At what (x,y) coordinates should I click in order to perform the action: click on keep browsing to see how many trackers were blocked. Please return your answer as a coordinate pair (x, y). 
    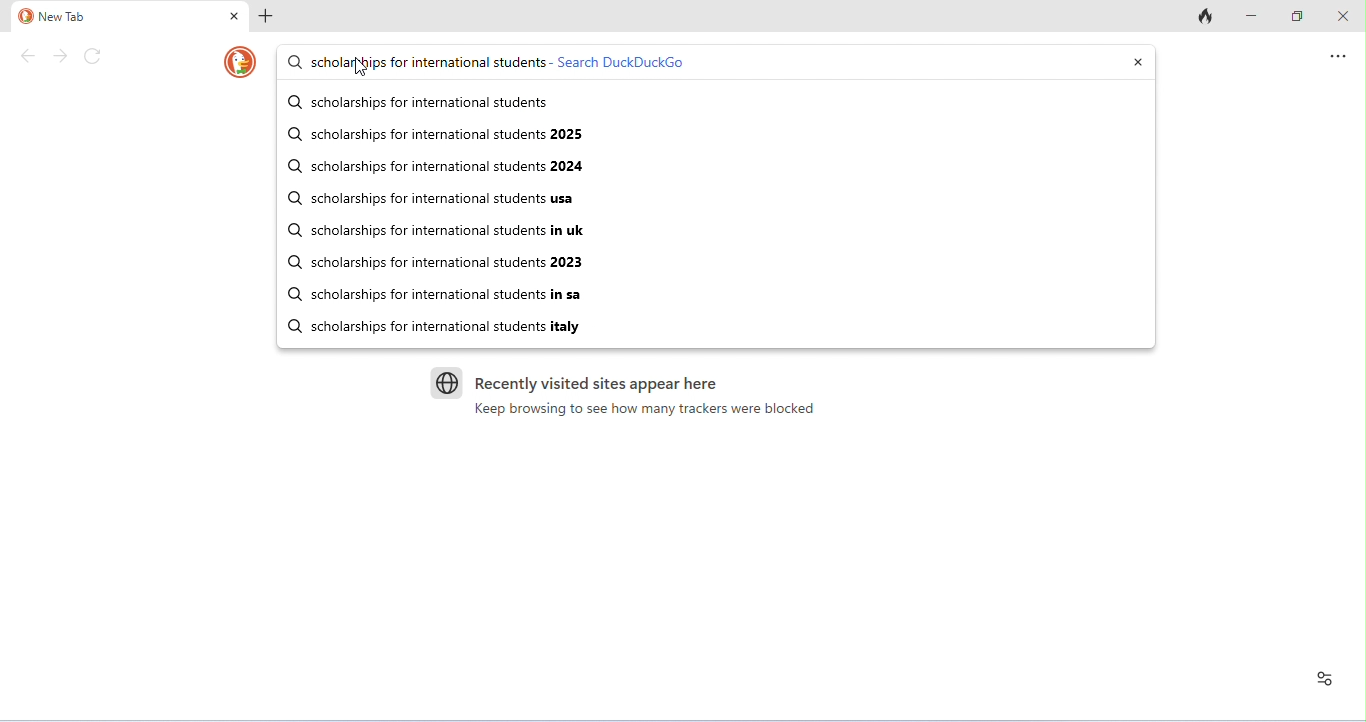
    Looking at the image, I should click on (645, 410).